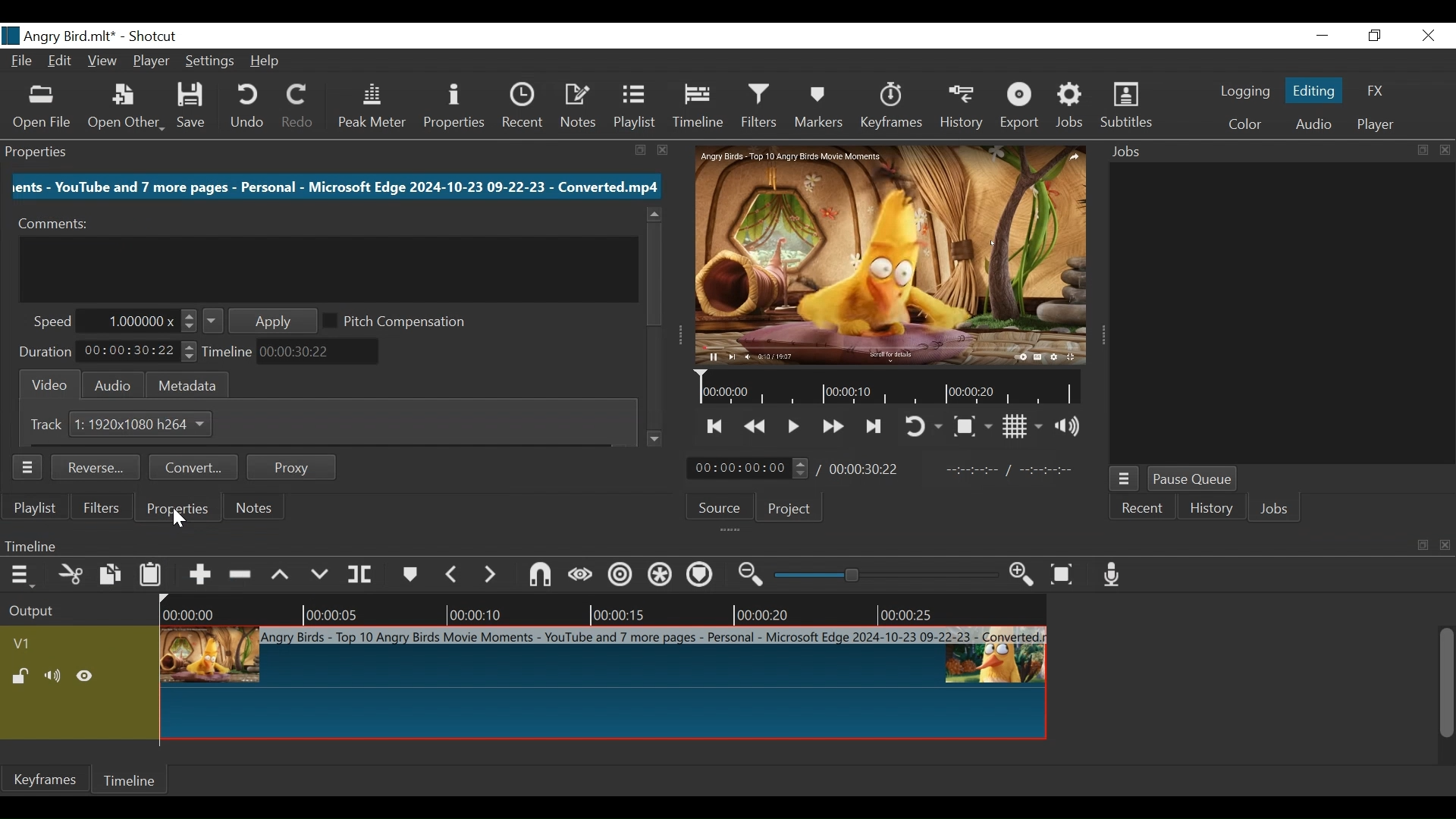 This screenshot has height=819, width=1456. What do you see at coordinates (42, 645) in the screenshot?
I see `Videoo track name` at bounding box center [42, 645].